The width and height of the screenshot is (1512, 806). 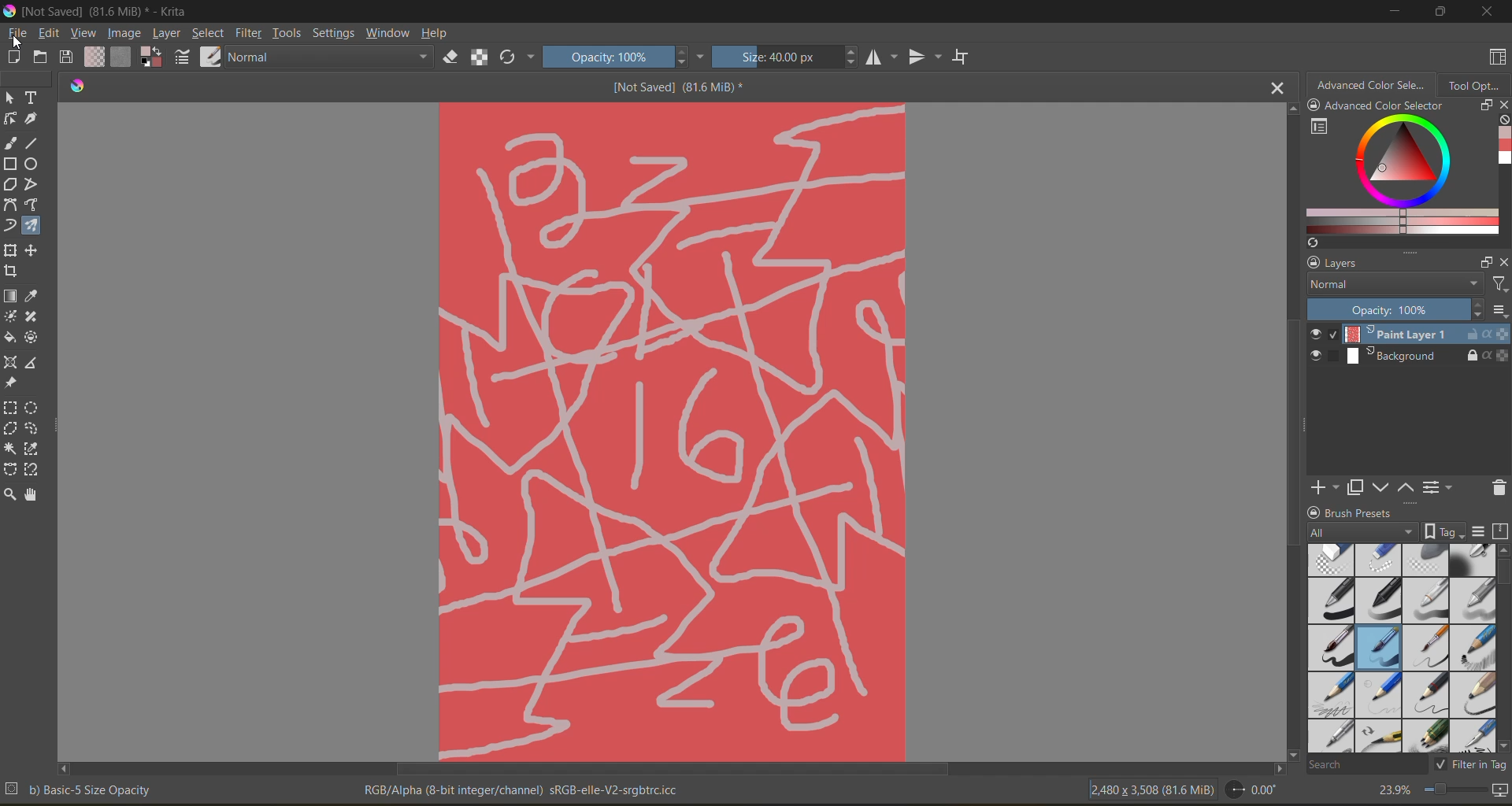 What do you see at coordinates (11, 362) in the screenshot?
I see `tool` at bounding box center [11, 362].